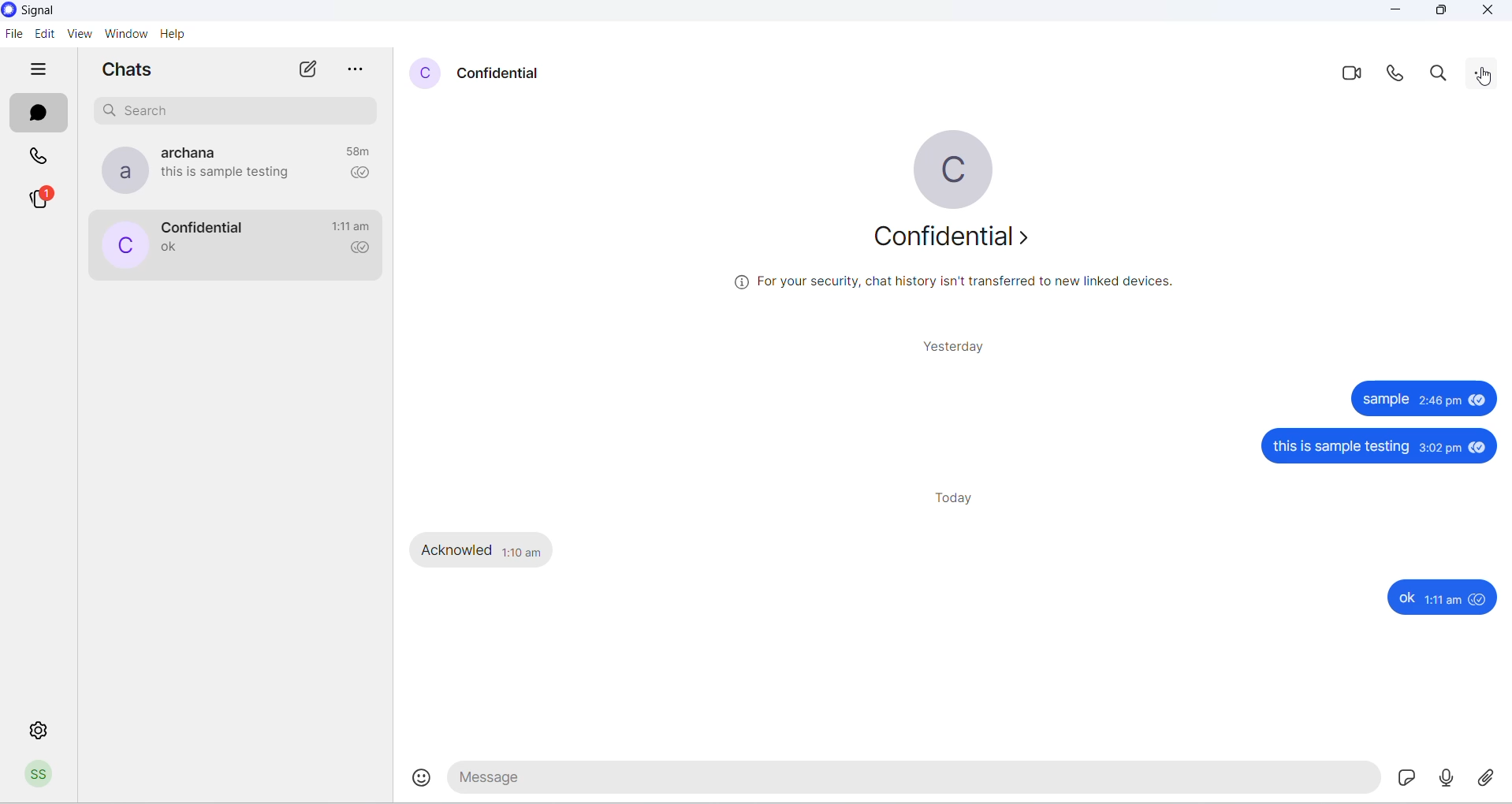 This screenshot has height=804, width=1512. What do you see at coordinates (1492, 780) in the screenshot?
I see `share attachment` at bounding box center [1492, 780].